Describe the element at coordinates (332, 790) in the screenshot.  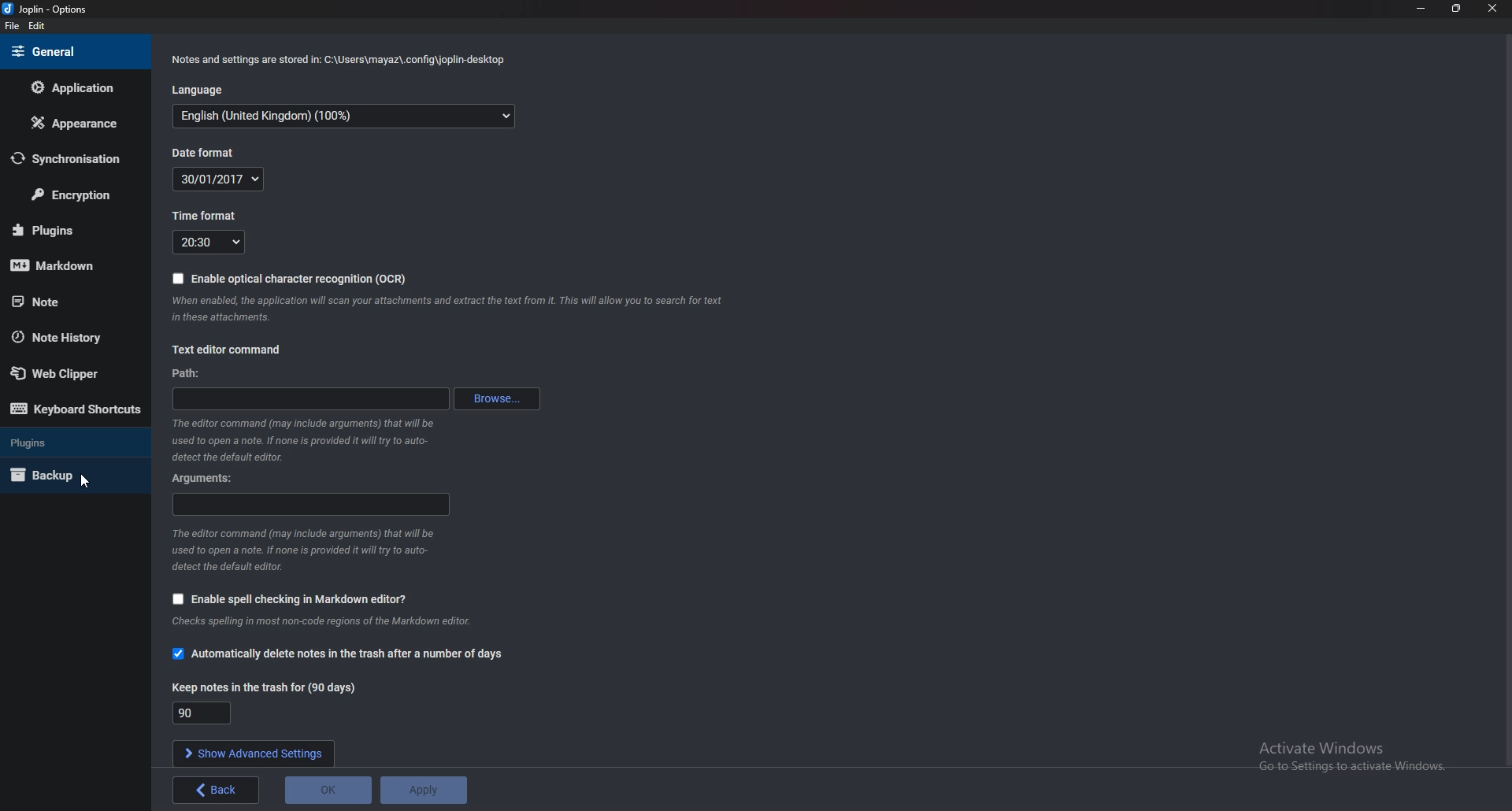
I see `O K` at that location.